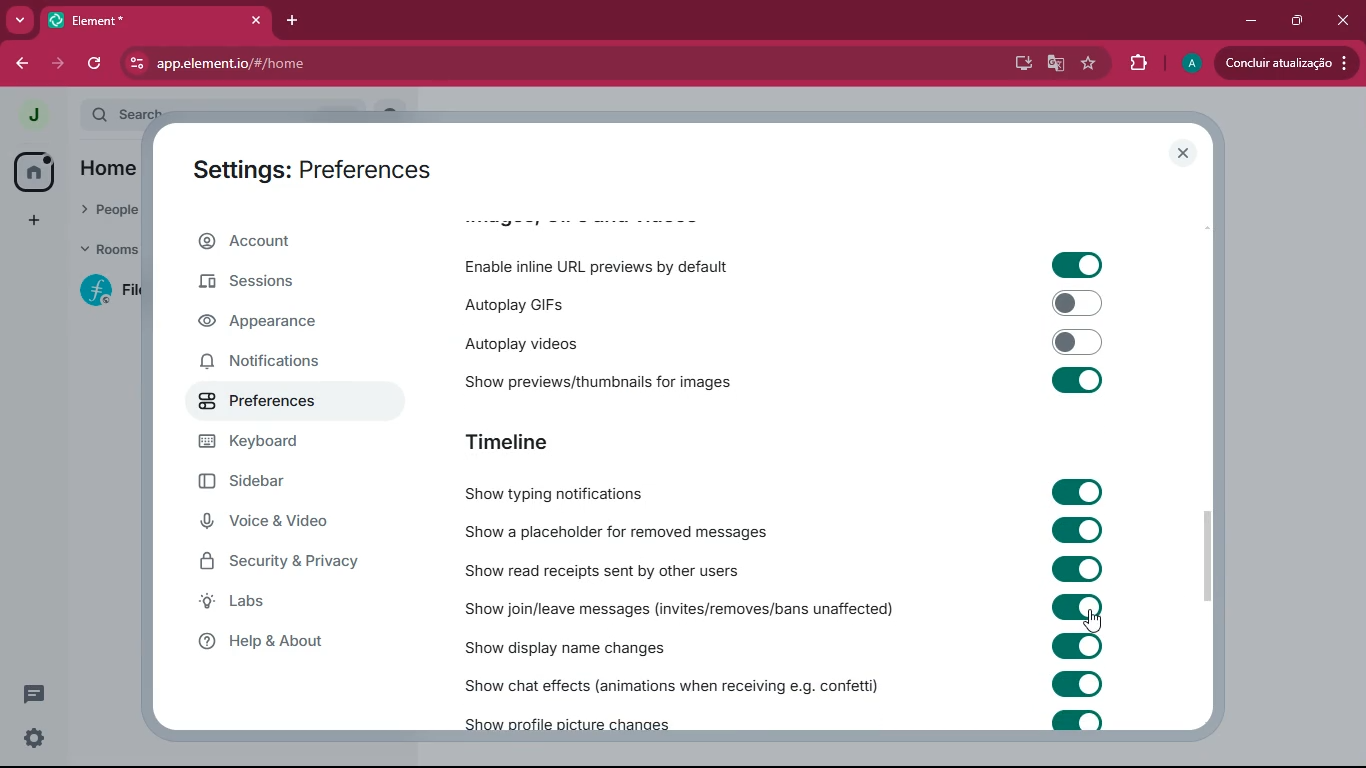  I want to click on cursor, so click(1093, 622).